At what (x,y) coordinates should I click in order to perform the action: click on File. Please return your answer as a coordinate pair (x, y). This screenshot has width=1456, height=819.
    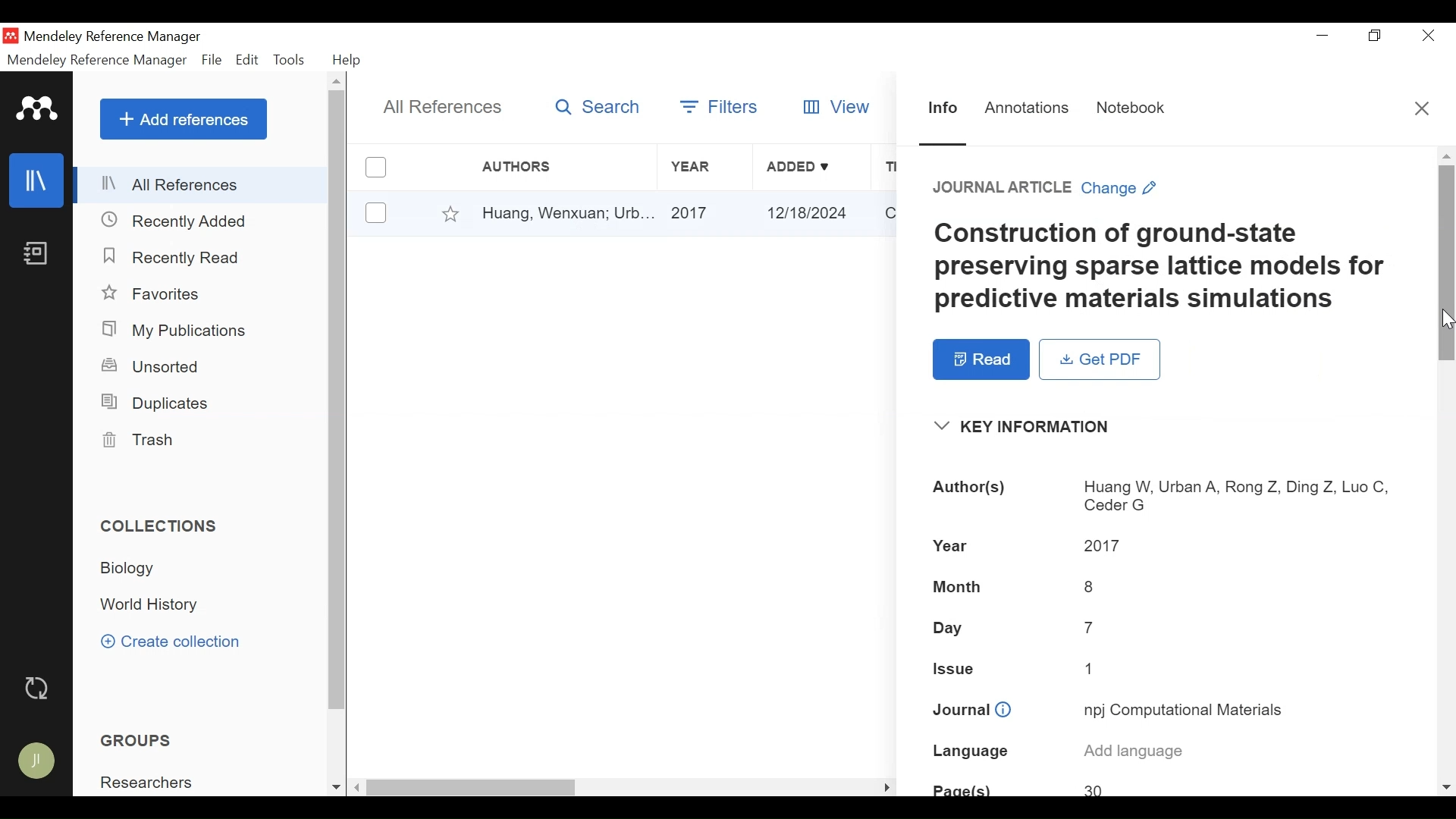
    Looking at the image, I should click on (212, 60).